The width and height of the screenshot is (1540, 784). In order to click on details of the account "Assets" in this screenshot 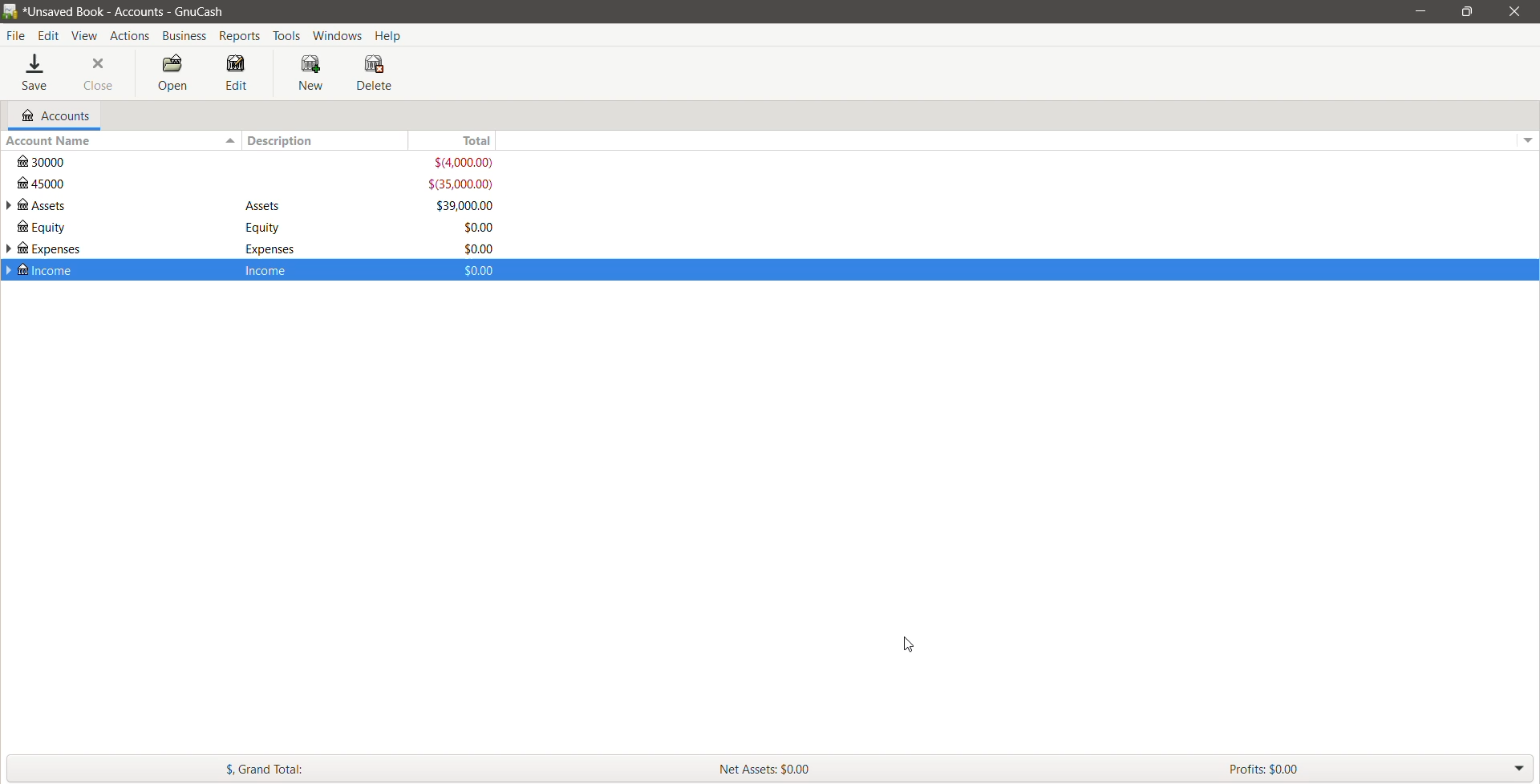, I will do `click(264, 207)`.